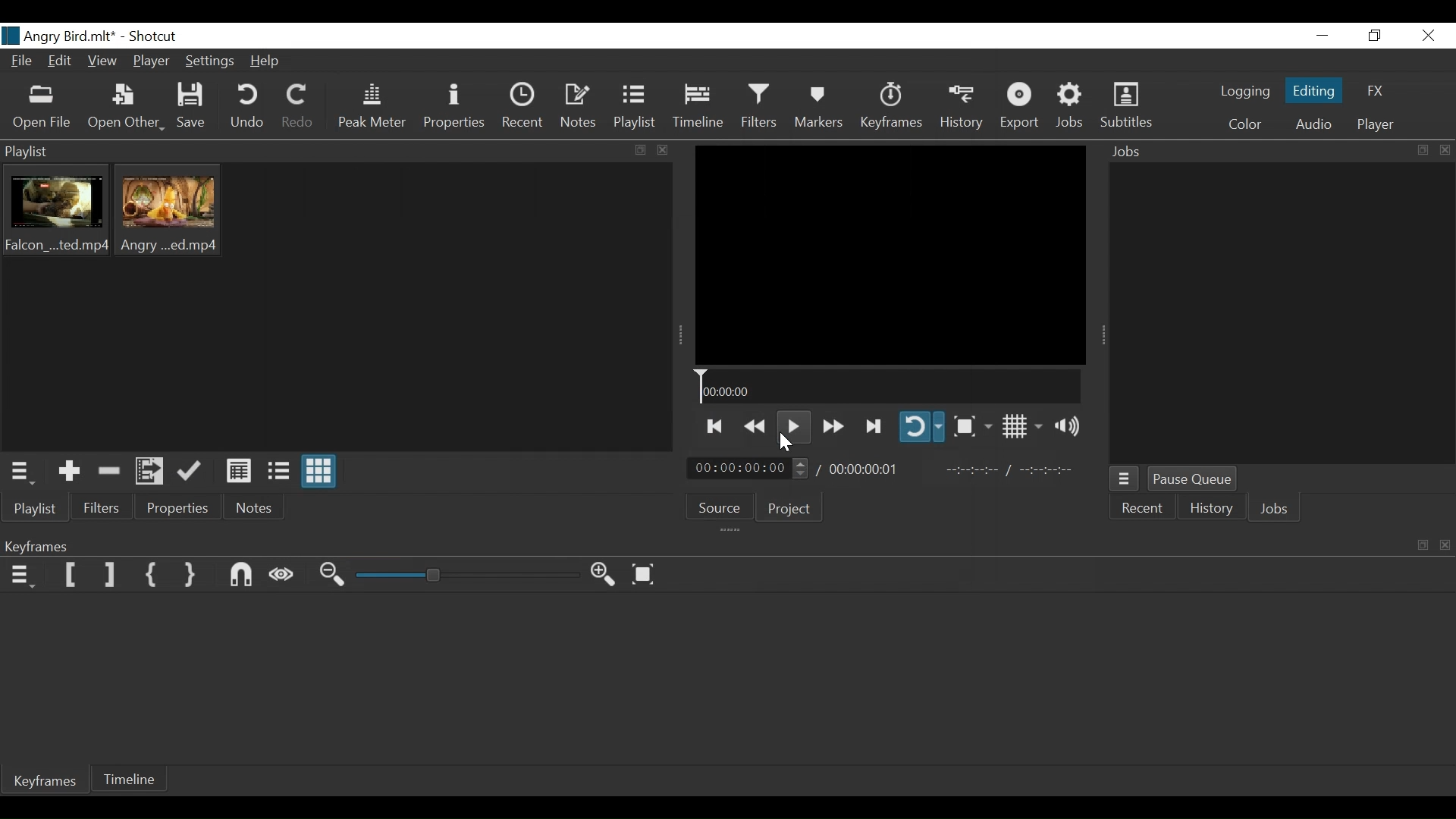 The height and width of the screenshot is (819, 1456). What do you see at coordinates (1145, 508) in the screenshot?
I see `Recent` at bounding box center [1145, 508].